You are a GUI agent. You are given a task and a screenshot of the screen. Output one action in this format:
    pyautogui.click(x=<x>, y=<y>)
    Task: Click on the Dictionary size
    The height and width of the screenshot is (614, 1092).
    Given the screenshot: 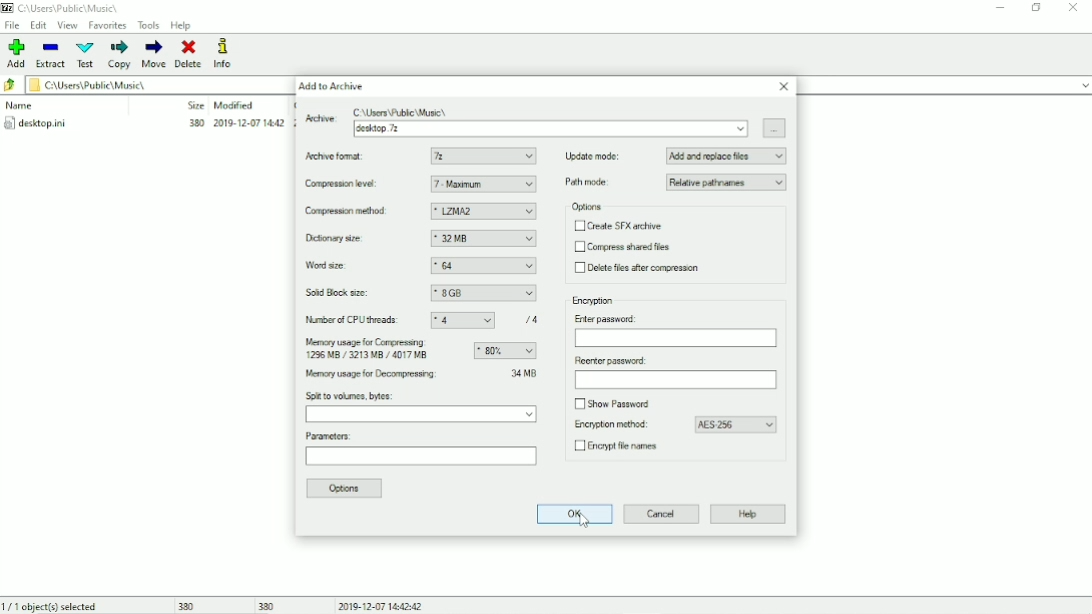 What is the action you would take?
    pyautogui.click(x=343, y=238)
    